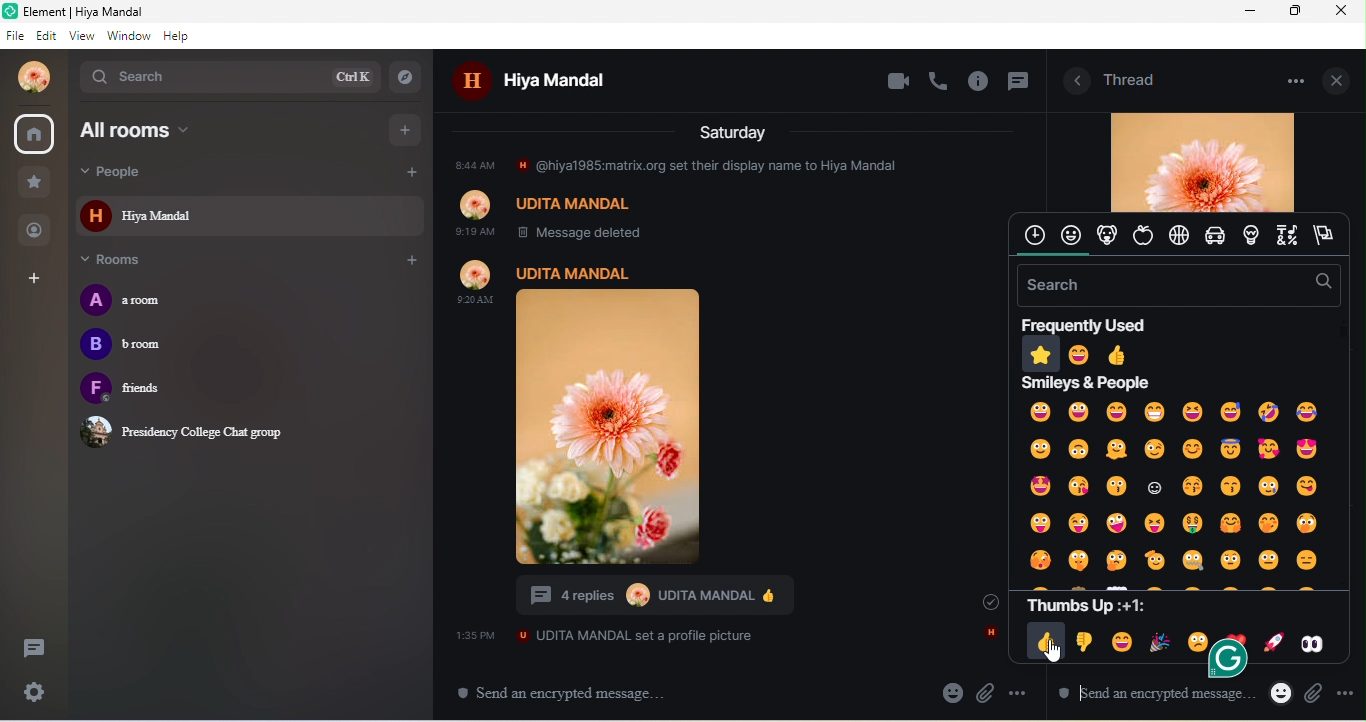 The image size is (1366, 722). Describe the element at coordinates (735, 131) in the screenshot. I see `Saturday` at that location.